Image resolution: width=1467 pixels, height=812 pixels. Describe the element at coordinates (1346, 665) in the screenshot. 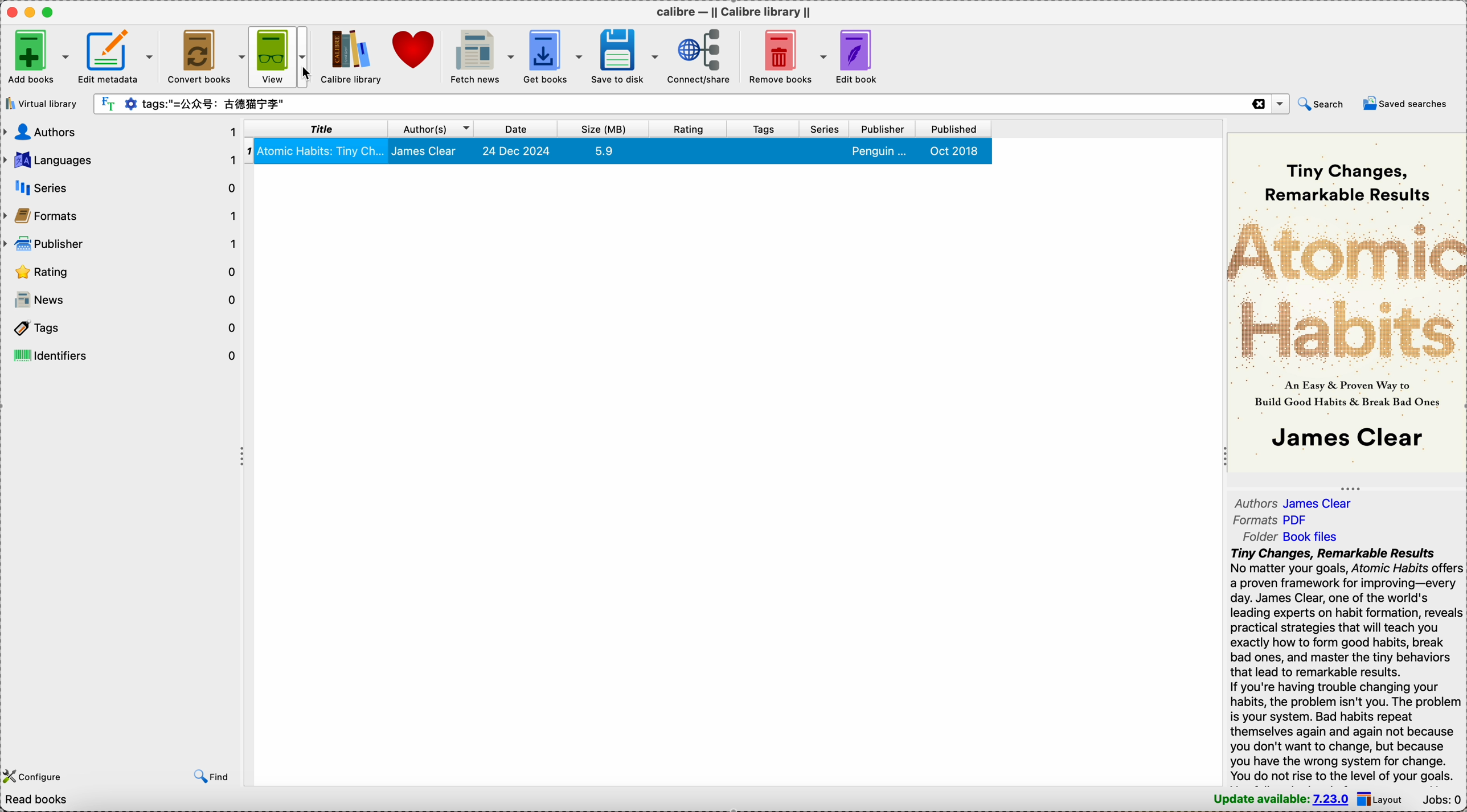

I see `synopsis` at that location.